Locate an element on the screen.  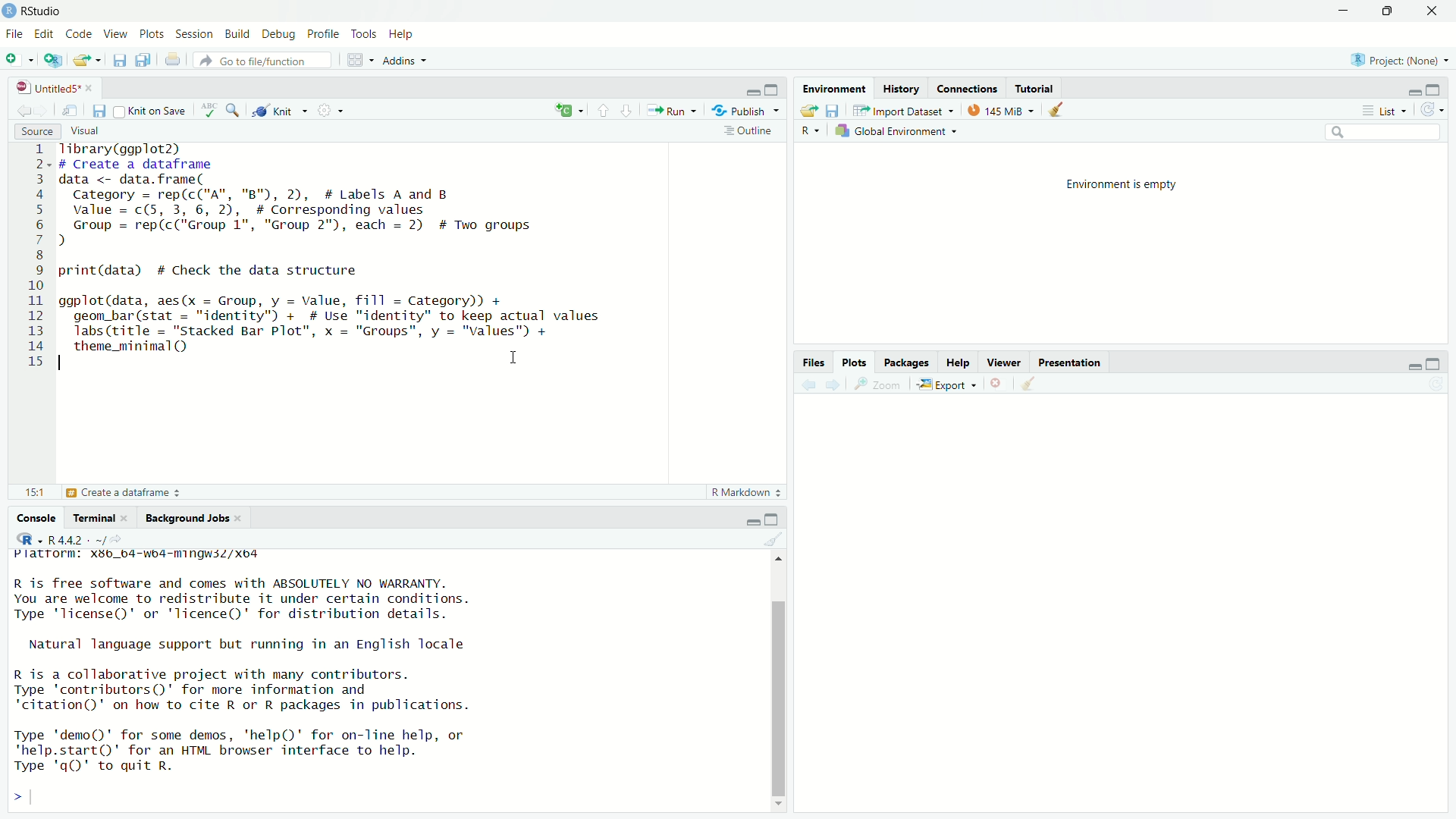
Workspace panes is located at coordinates (357, 60).